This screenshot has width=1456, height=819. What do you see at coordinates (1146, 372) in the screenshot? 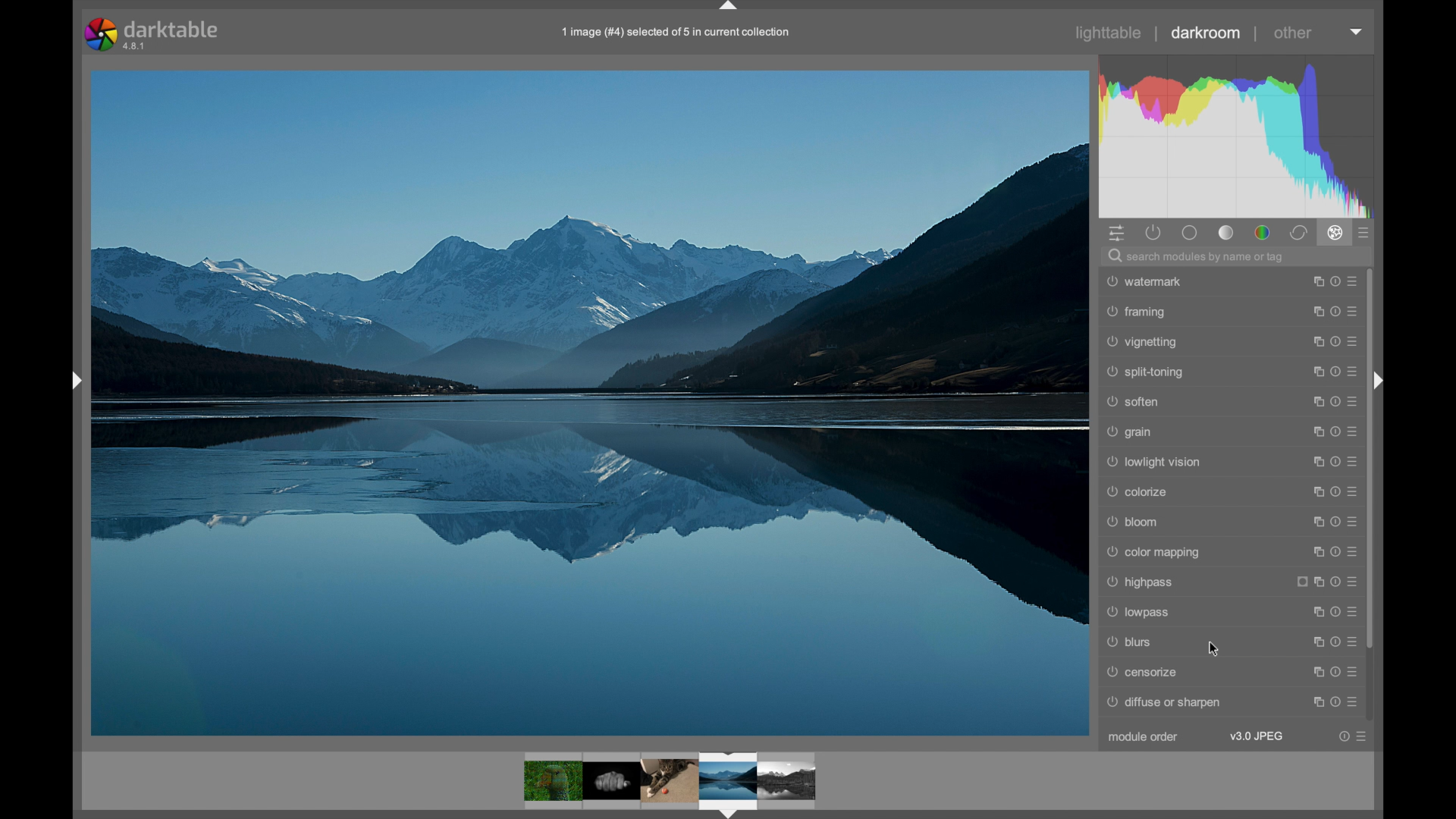
I see `split-toning` at bounding box center [1146, 372].